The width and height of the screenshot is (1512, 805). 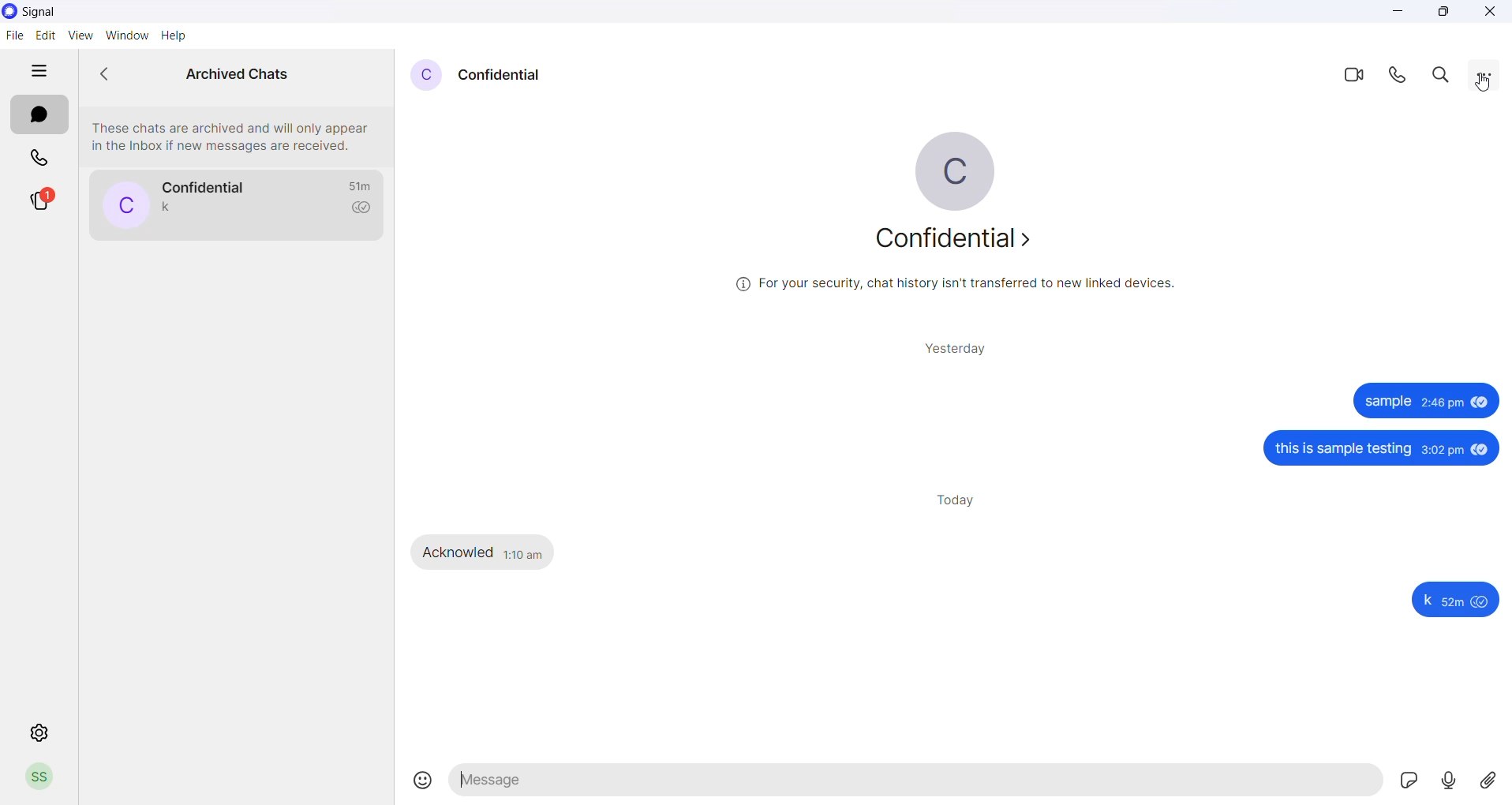 I want to click on minimize, so click(x=1395, y=13).